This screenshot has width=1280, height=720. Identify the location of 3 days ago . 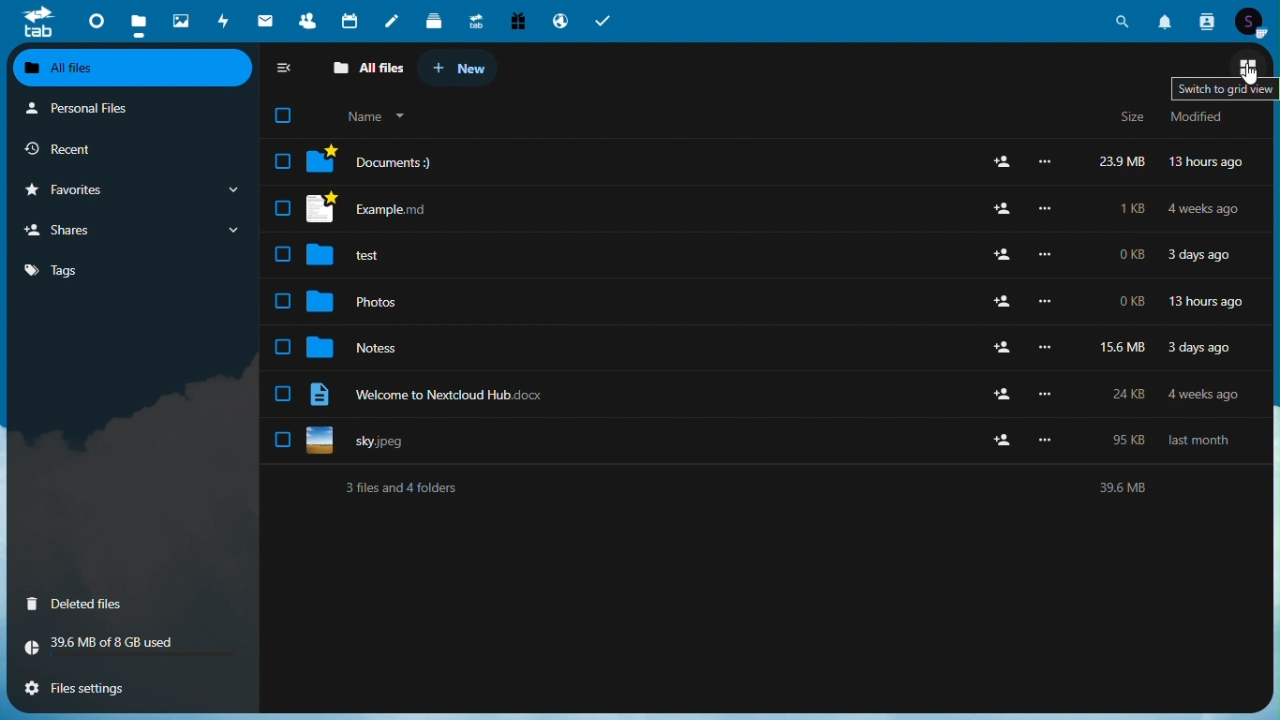
(1208, 350).